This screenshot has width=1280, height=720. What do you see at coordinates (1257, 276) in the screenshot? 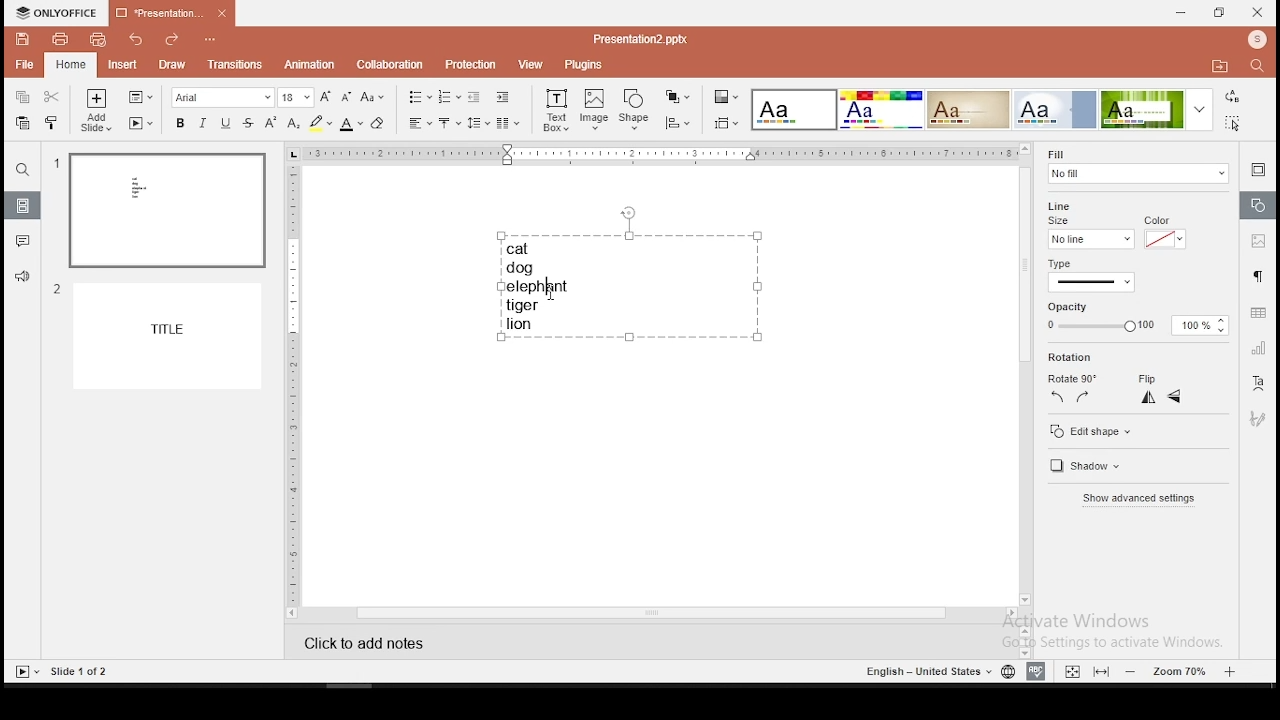
I see `paragraph settings` at bounding box center [1257, 276].